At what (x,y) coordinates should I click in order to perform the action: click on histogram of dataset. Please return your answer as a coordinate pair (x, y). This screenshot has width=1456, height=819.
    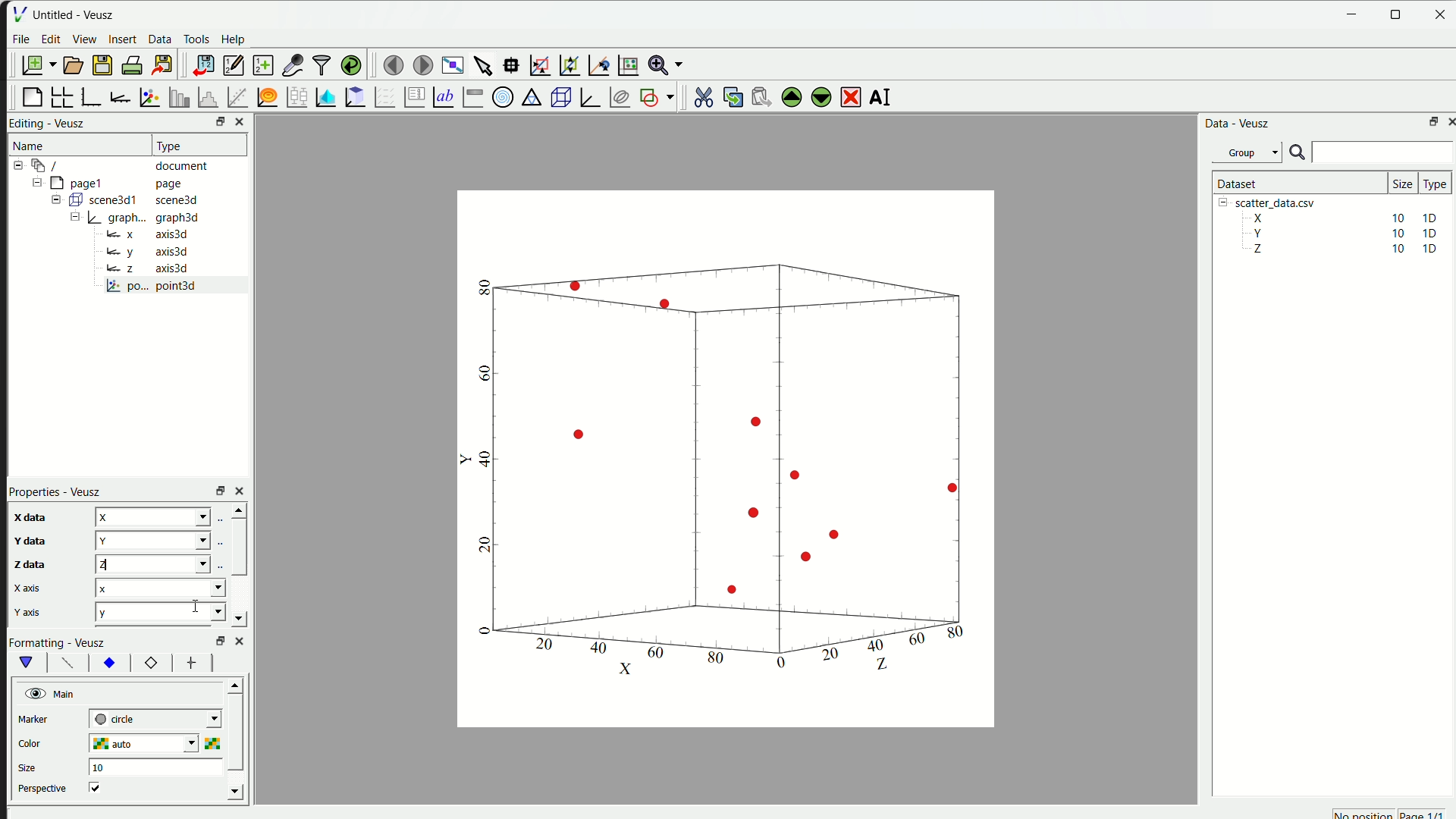
    Looking at the image, I should click on (205, 97).